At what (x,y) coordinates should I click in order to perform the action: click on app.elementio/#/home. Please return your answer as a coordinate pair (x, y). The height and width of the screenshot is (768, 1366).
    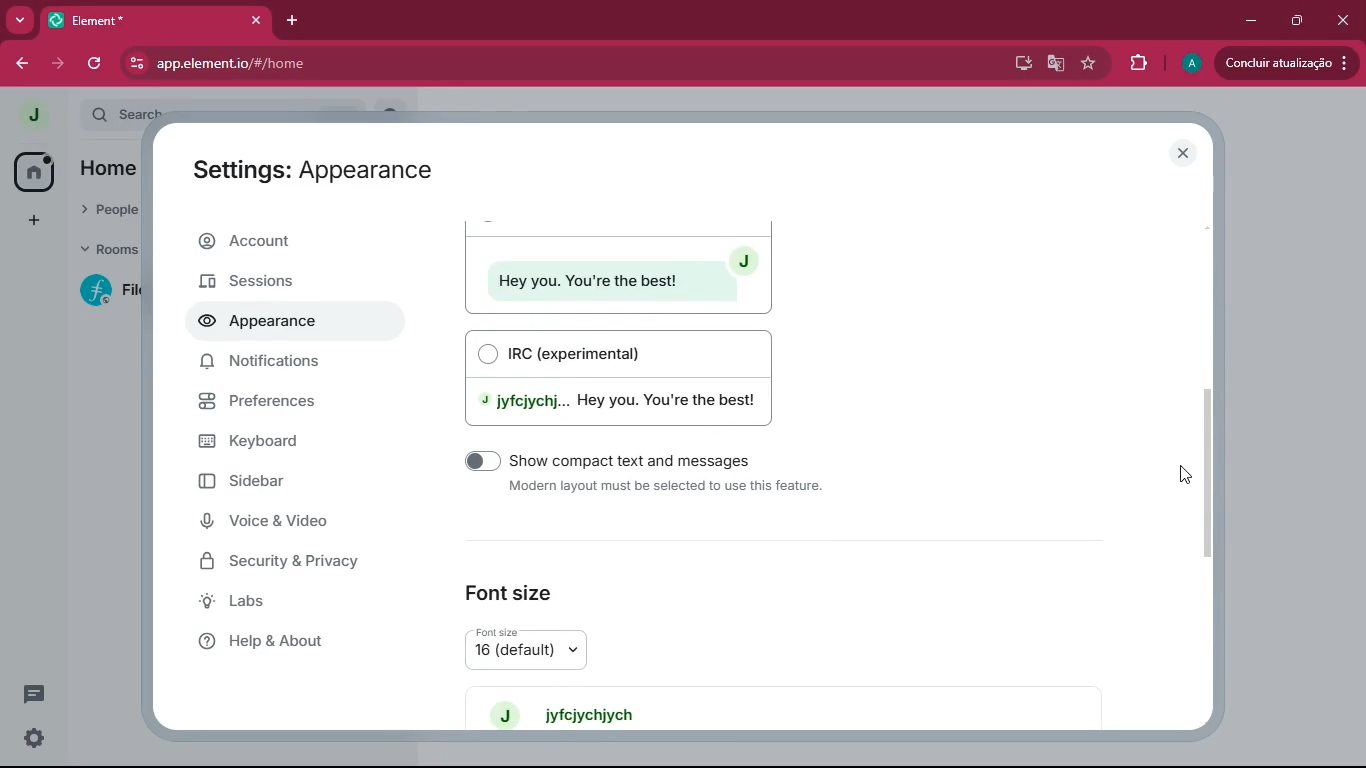
    Looking at the image, I should click on (451, 64).